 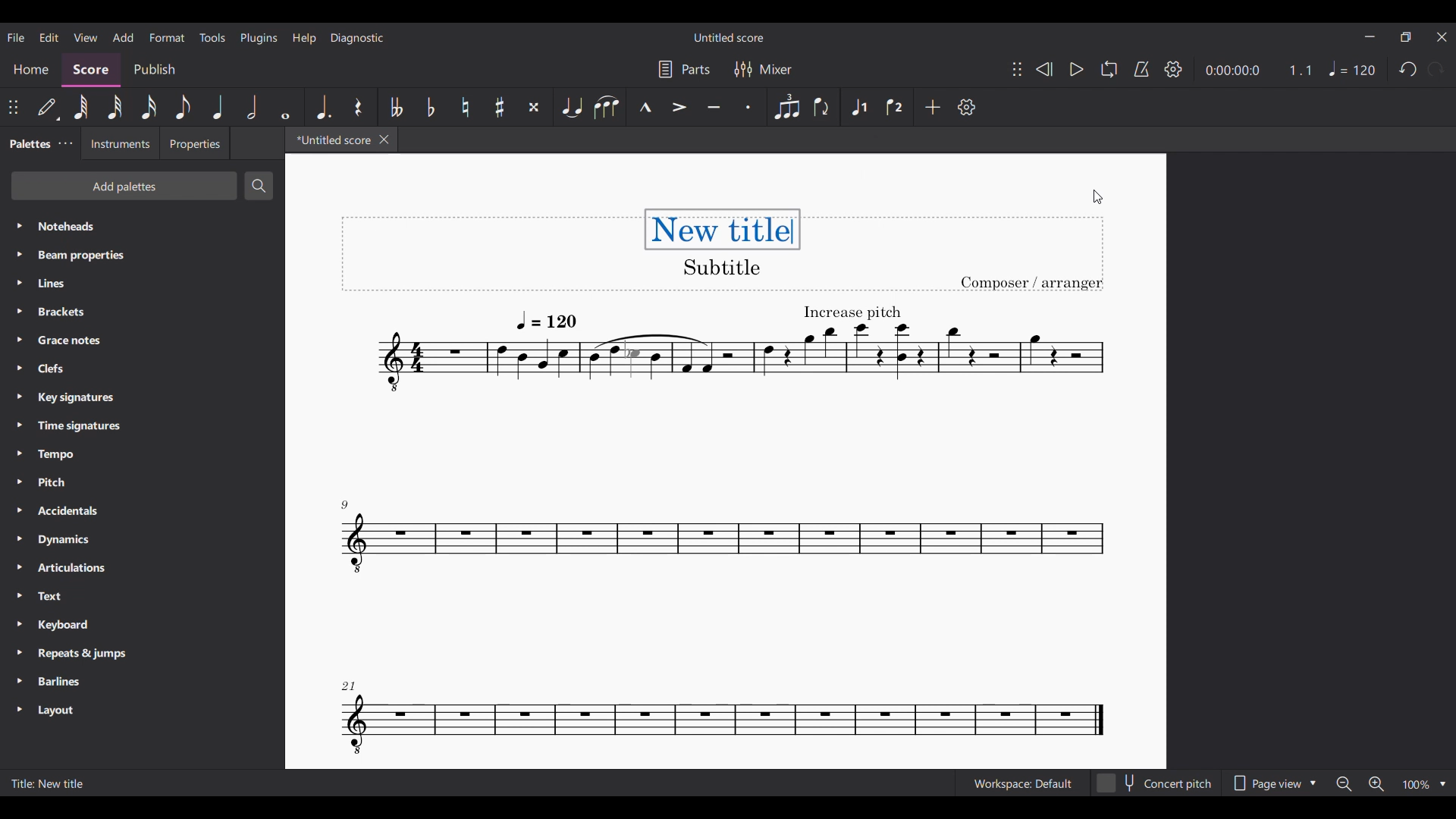 I want to click on Tuplet, so click(x=786, y=107).